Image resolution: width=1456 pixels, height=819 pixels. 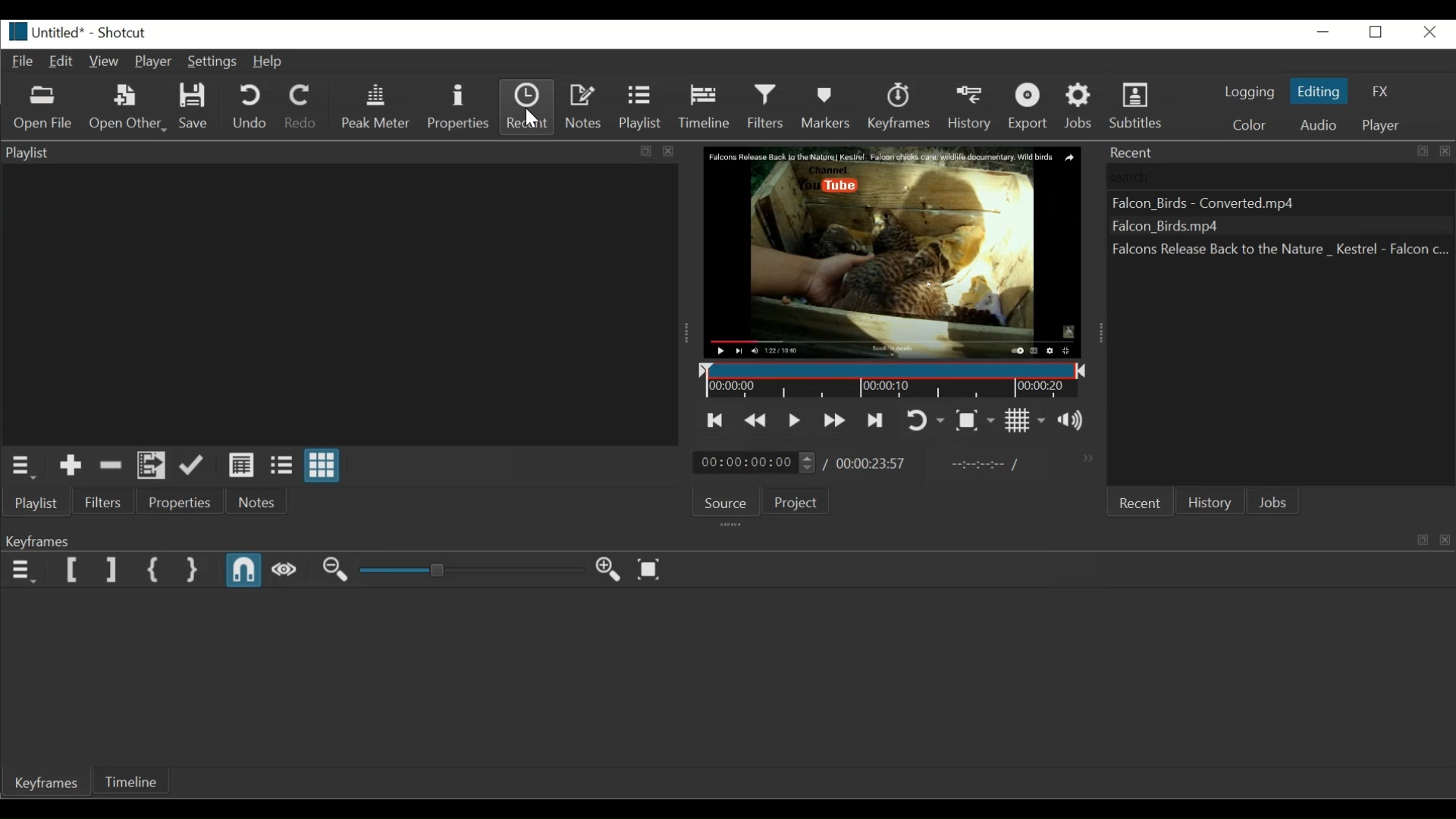 What do you see at coordinates (127, 108) in the screenshot?
I see `Open Other` at bounding box center [127, 108].